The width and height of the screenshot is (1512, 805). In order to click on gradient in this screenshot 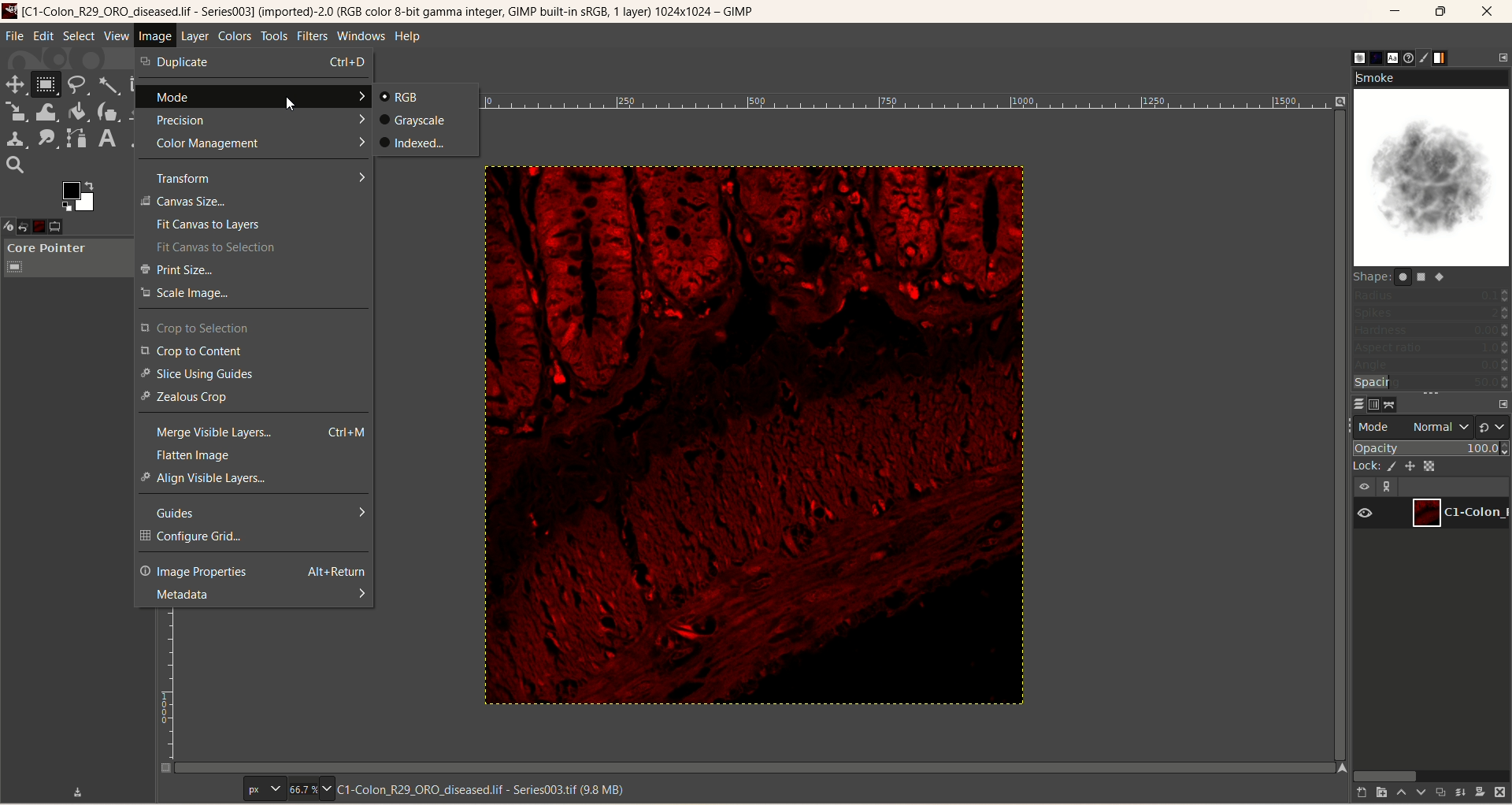, I will do `click(1441, 58)`.